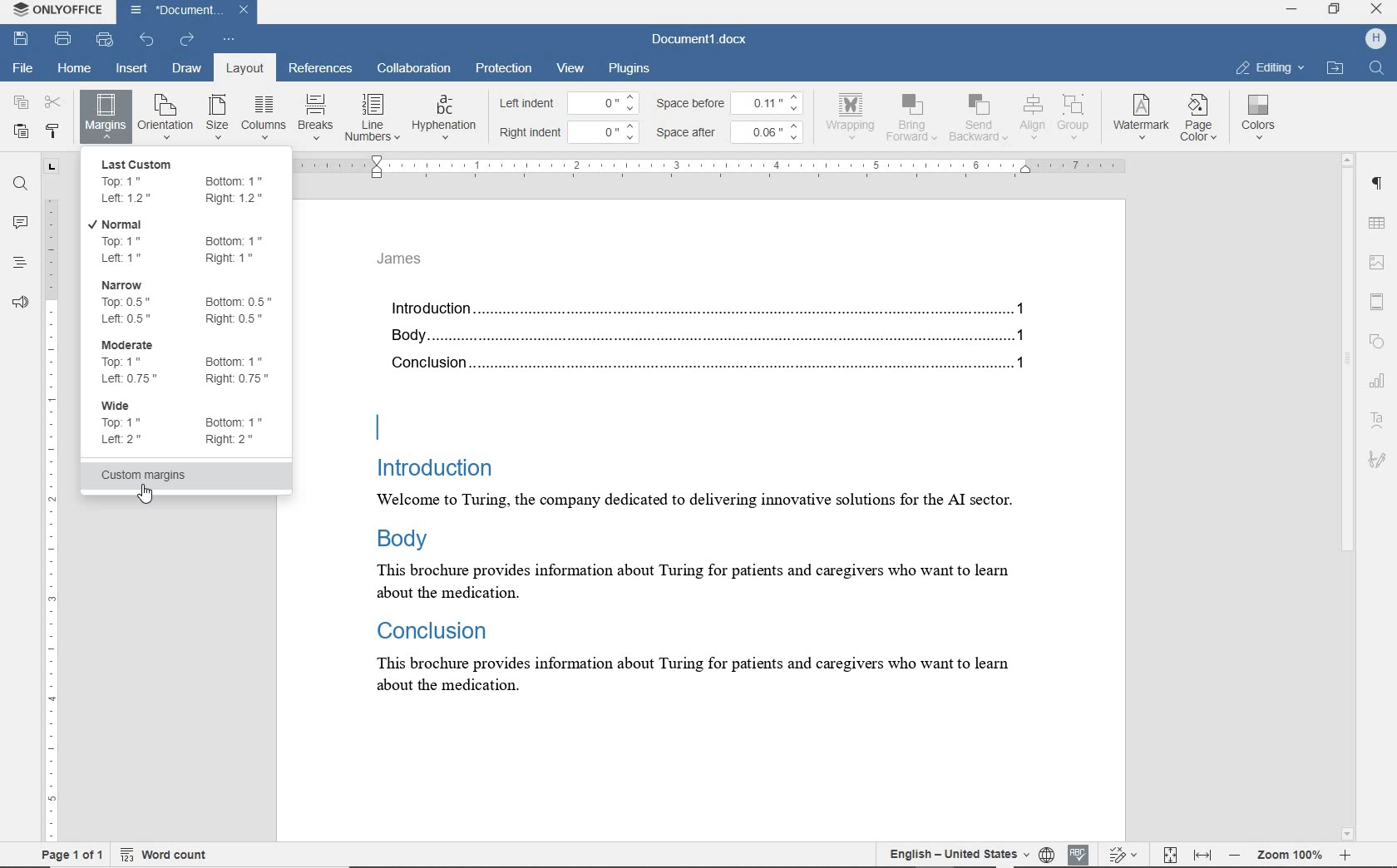 This screenshot has width=1397, height=868. Describe the element at coordinates (531, 133) in the screenshot. I see `right indent` at that location.